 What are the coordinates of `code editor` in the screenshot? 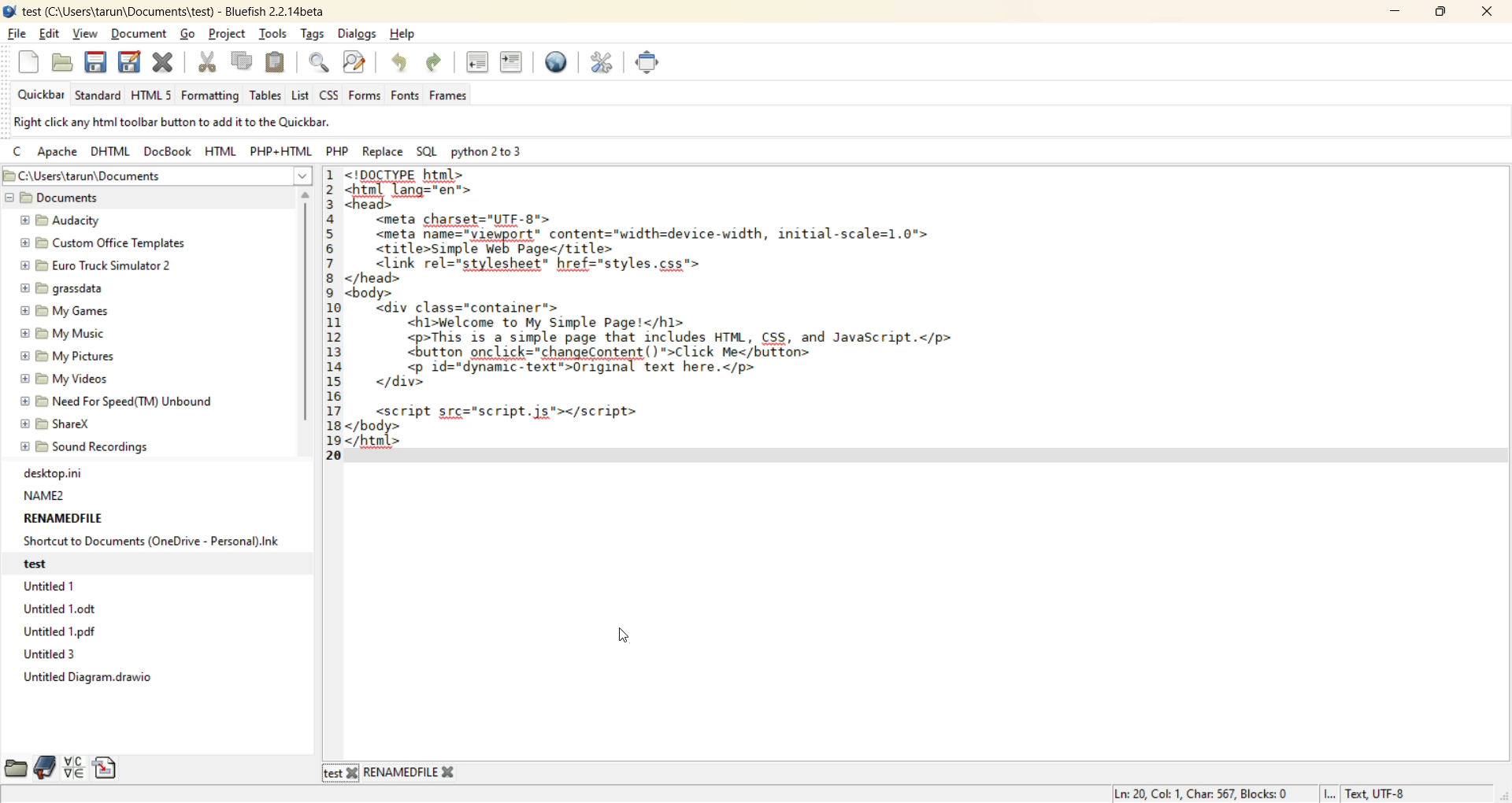 It's located at (683, 316).